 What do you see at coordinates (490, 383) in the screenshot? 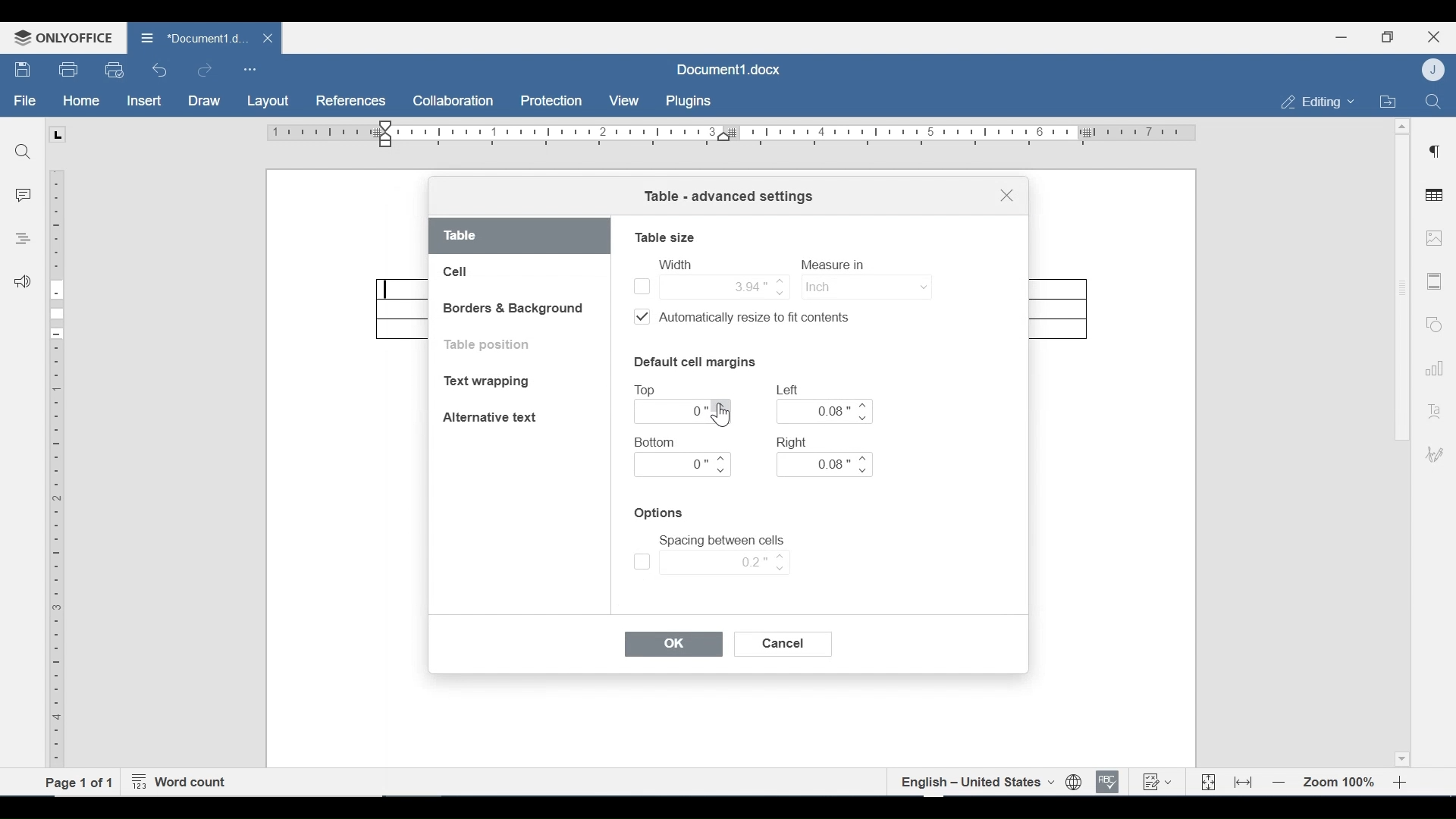
I see `Text wrapping` at bounding box center [490, 383].